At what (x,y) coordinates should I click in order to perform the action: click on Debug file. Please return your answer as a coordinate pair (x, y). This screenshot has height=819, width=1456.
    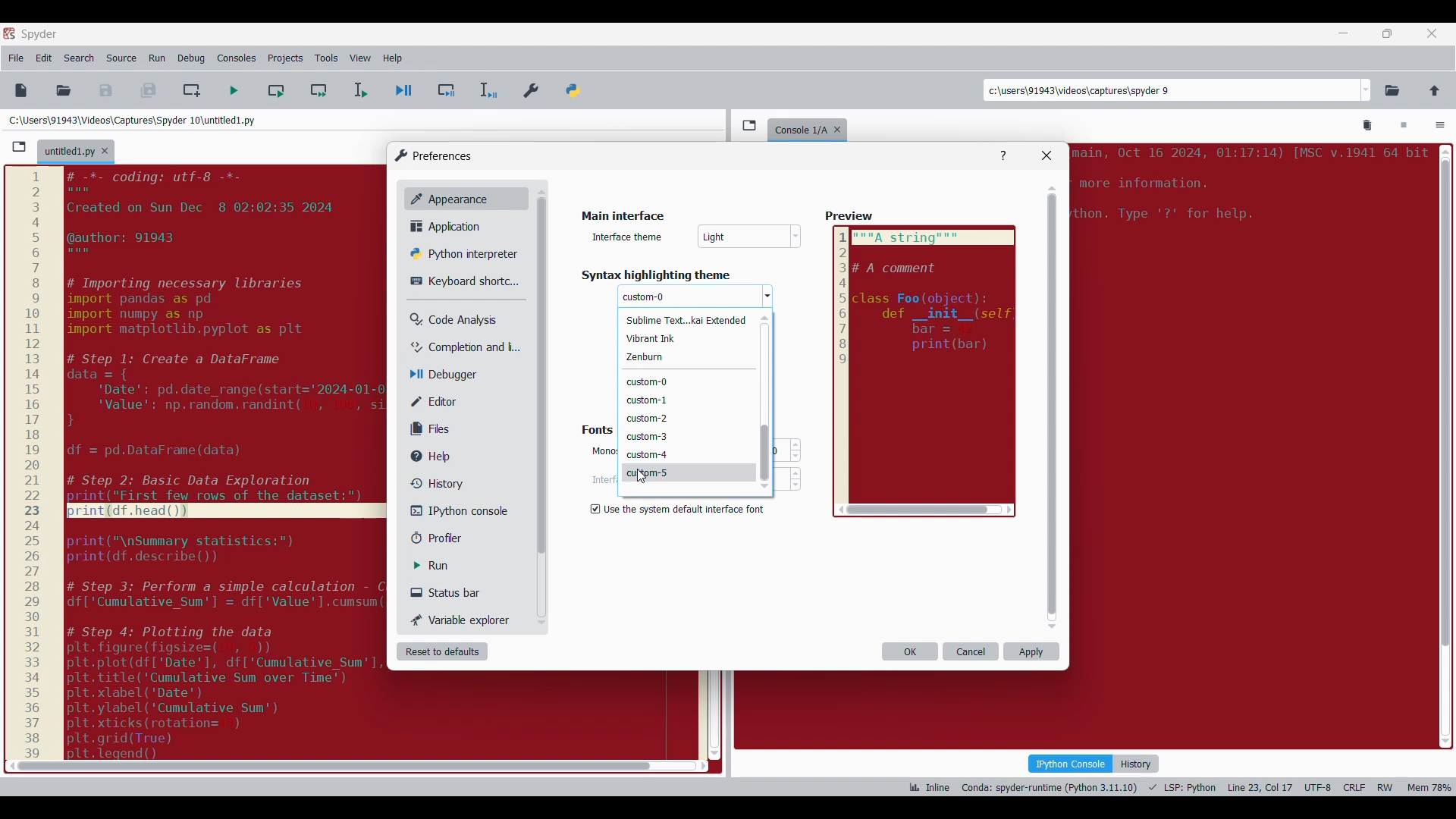
    Looking at the image, I should click on (404, 91).